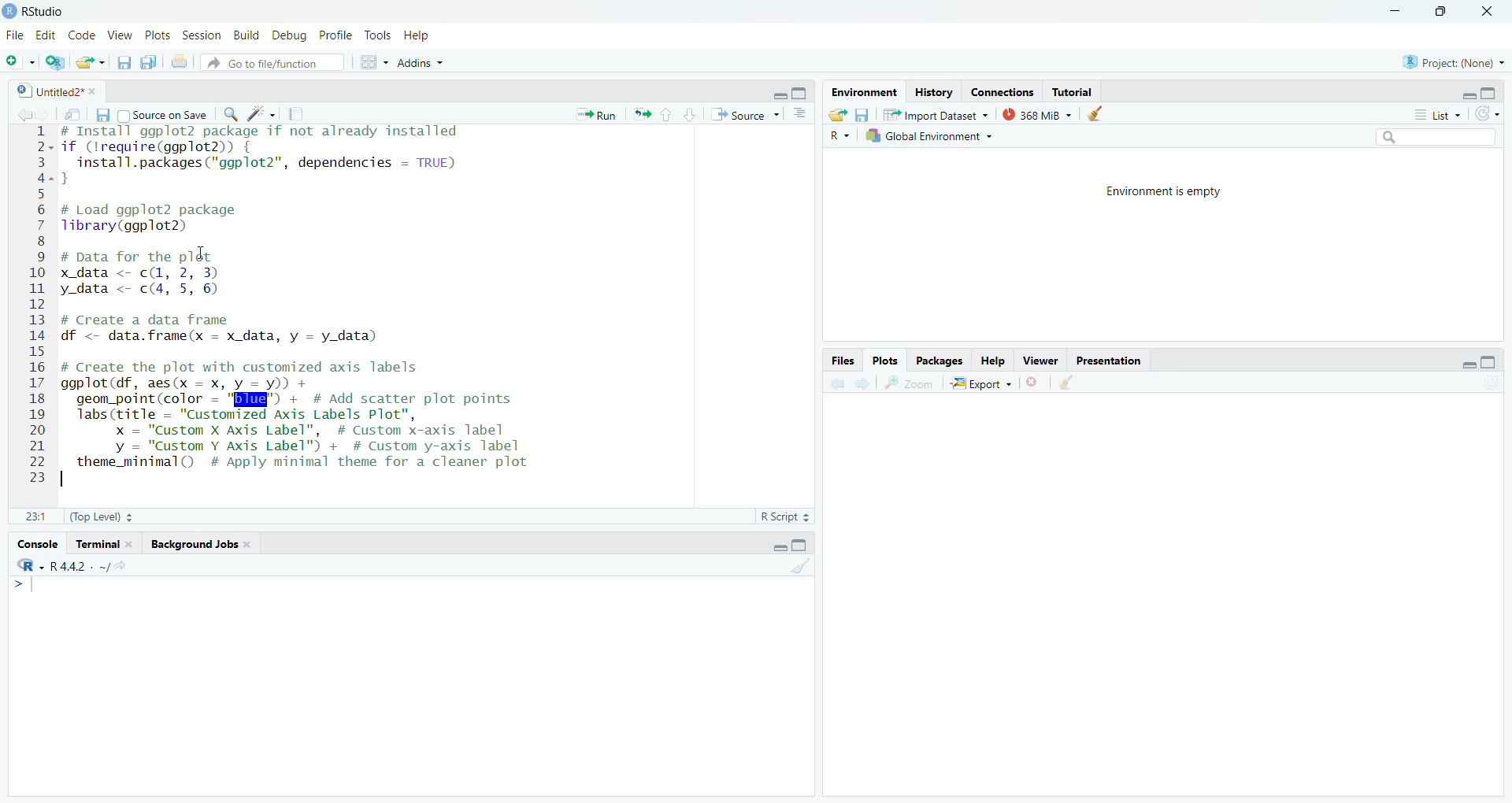 The height and width of the screenshot is (803, 1512). I want to click on save, so click(865, 115).